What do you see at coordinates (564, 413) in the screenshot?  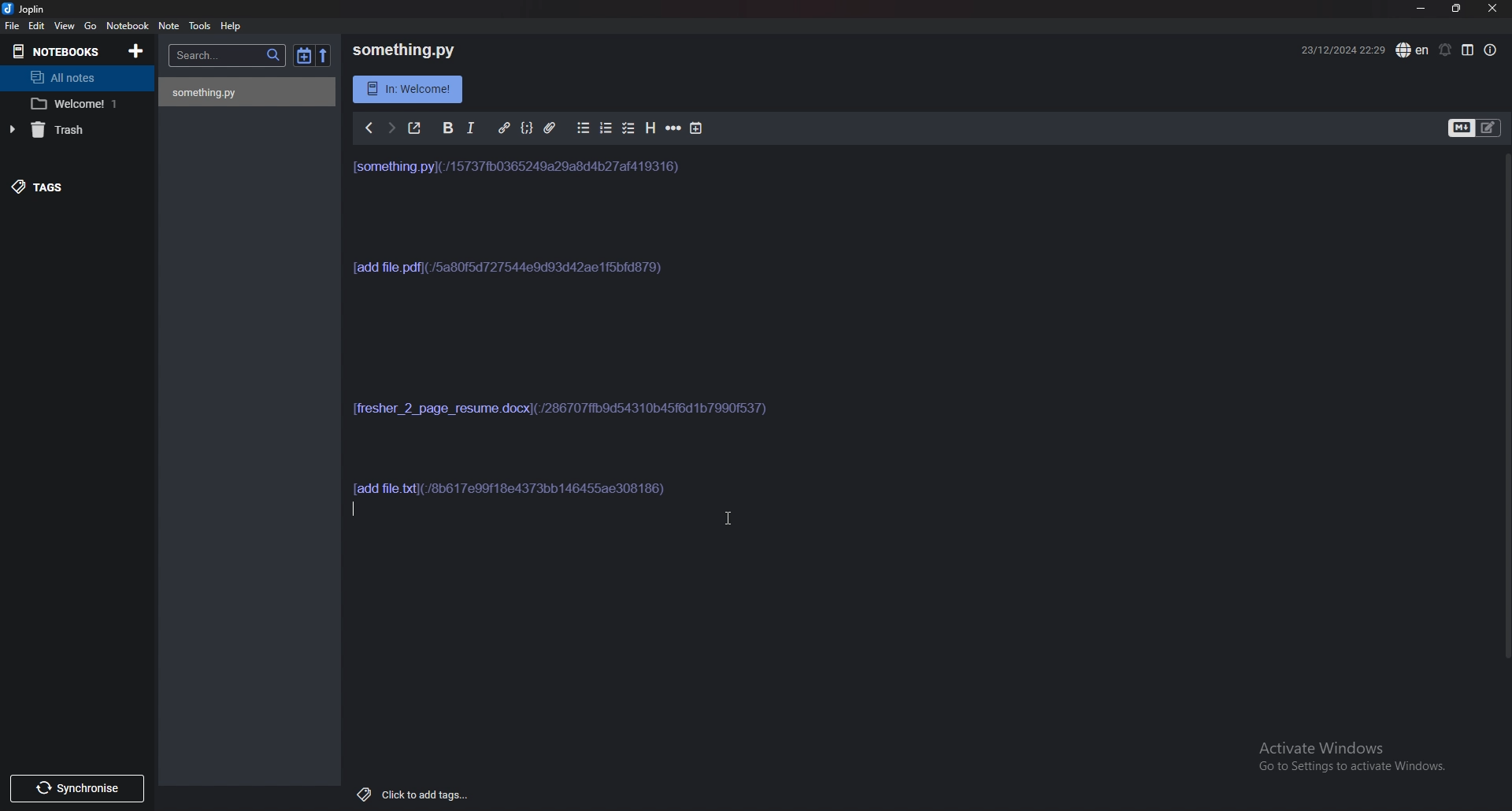 I see `[fresher_2_page_resume.docx](/286707f1b9d54310b4516d 1679901537)` at bounding box center [564, 413].